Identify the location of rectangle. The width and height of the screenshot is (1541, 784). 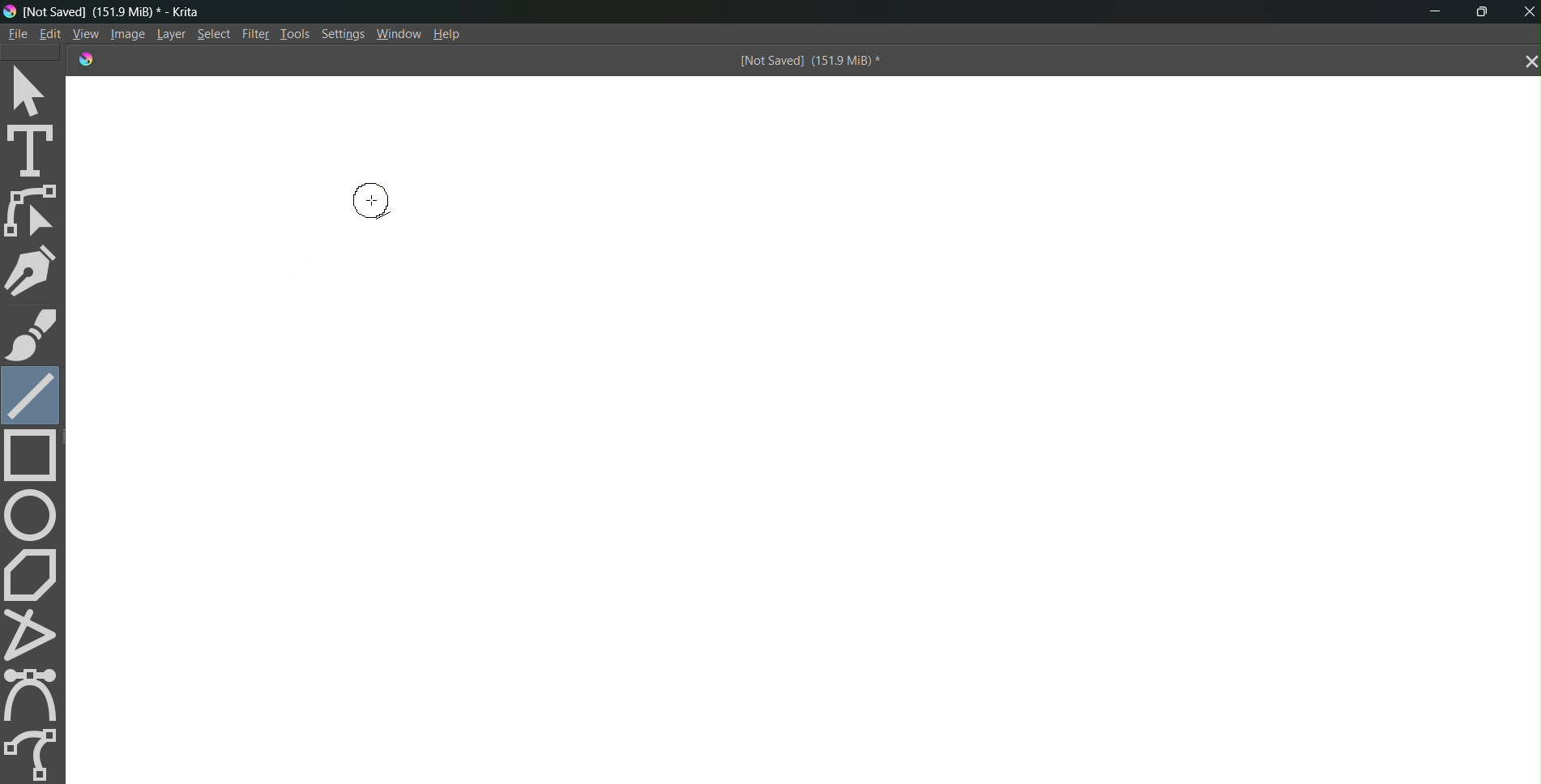
(36, 457).